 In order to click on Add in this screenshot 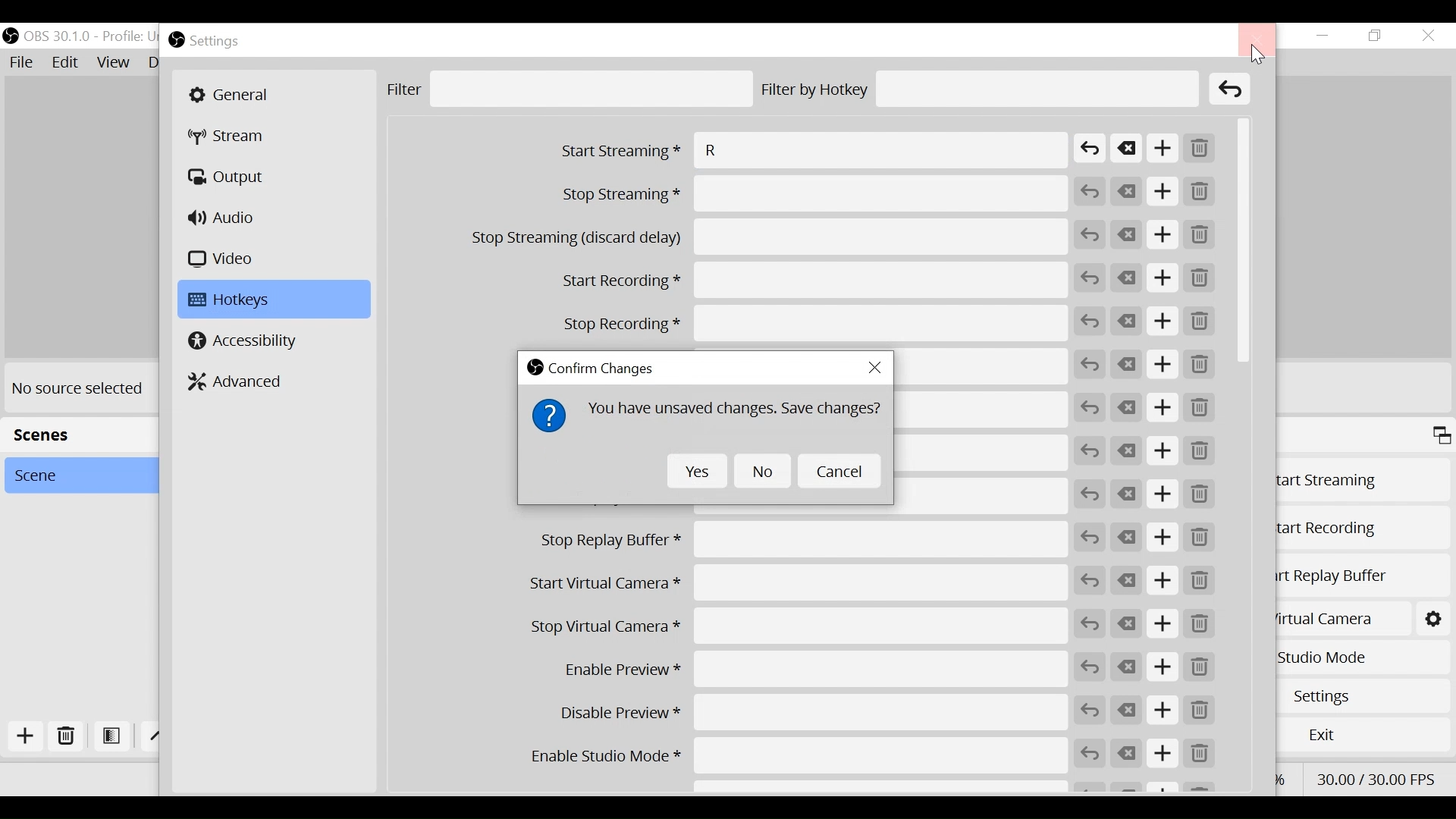, I will do `click(28, 736)`.